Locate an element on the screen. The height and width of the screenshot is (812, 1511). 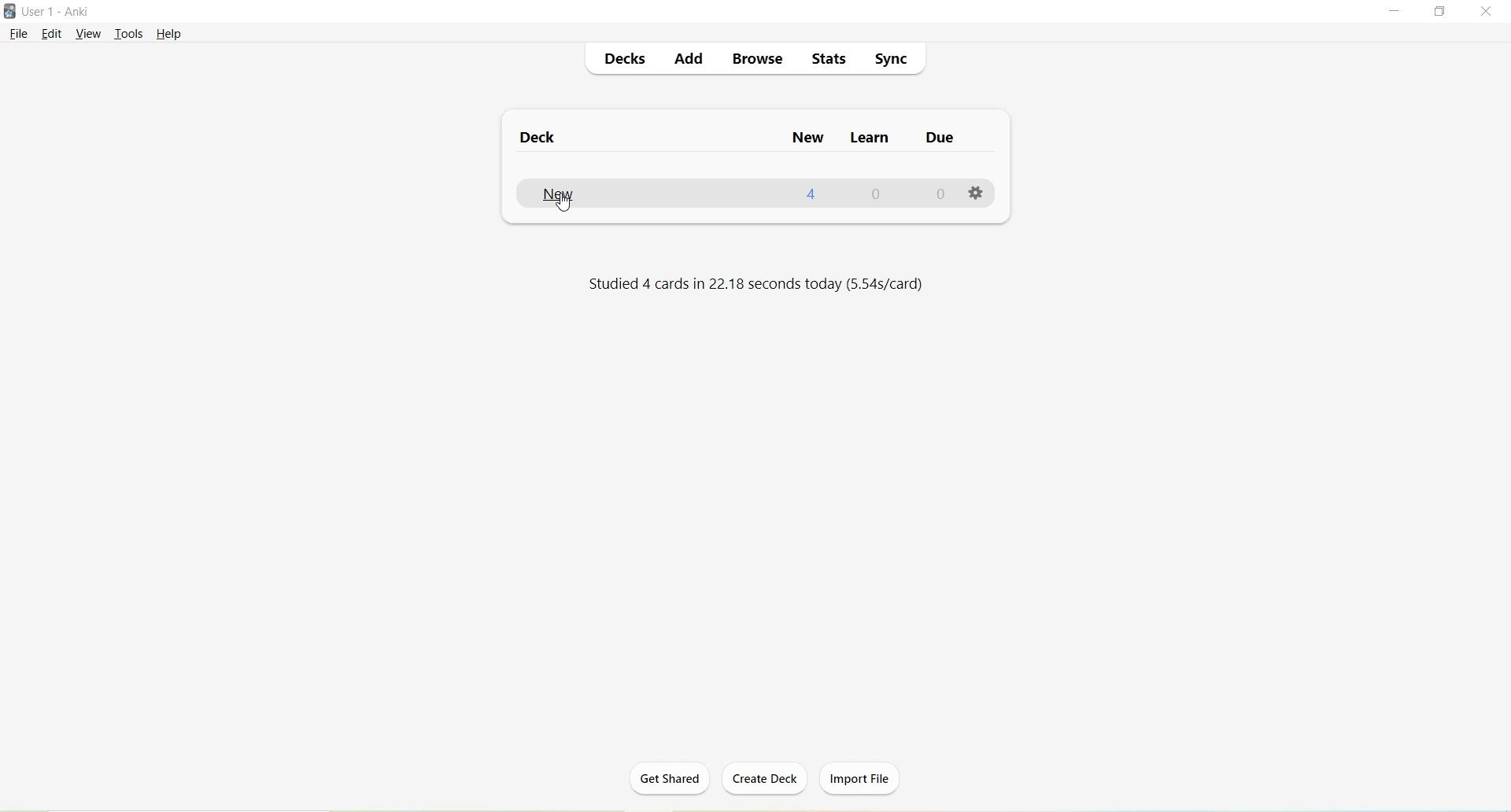
Close is located at coordinates (1487, 11).